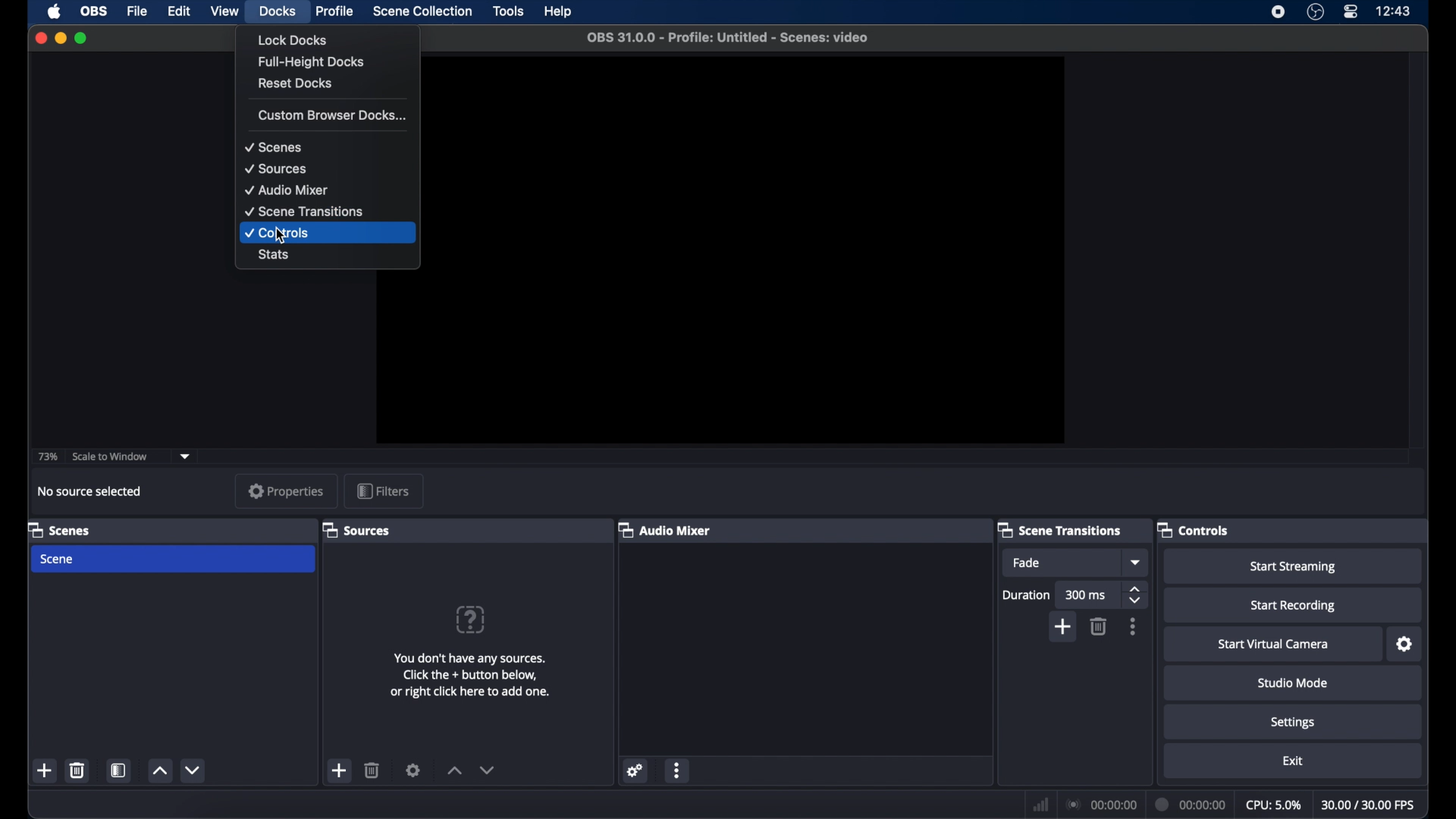 Image resolution: width=1456 pixels, height=819 pixels. Describe the element at coordinates (194, 770) in the screenshot. I see `decrement` at that location.